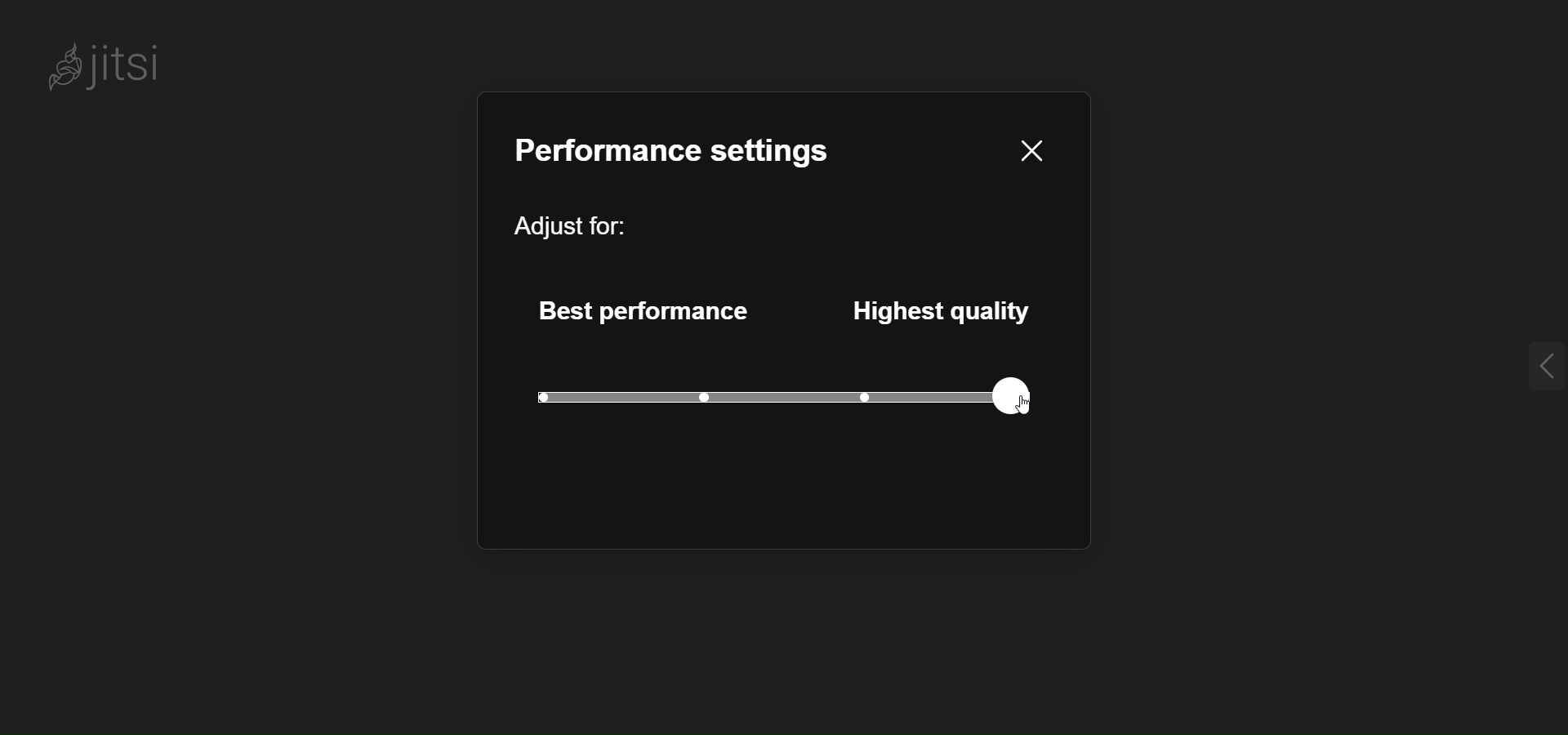 The height and width of the screenshot is (735, 1568). I want to click on quality level, so click(788, 394).